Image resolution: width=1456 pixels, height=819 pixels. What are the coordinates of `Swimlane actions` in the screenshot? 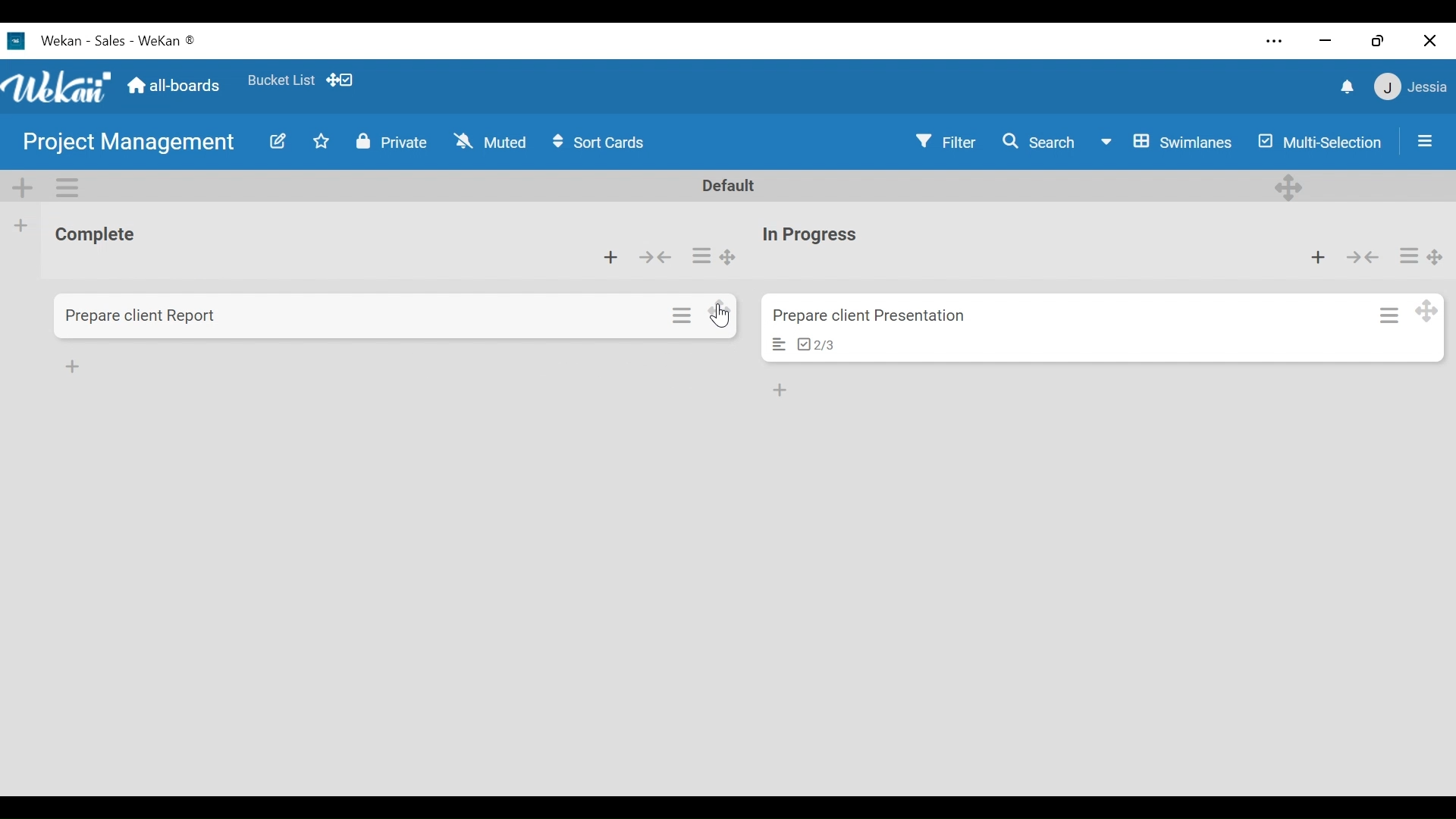 It's located at (70, 187).